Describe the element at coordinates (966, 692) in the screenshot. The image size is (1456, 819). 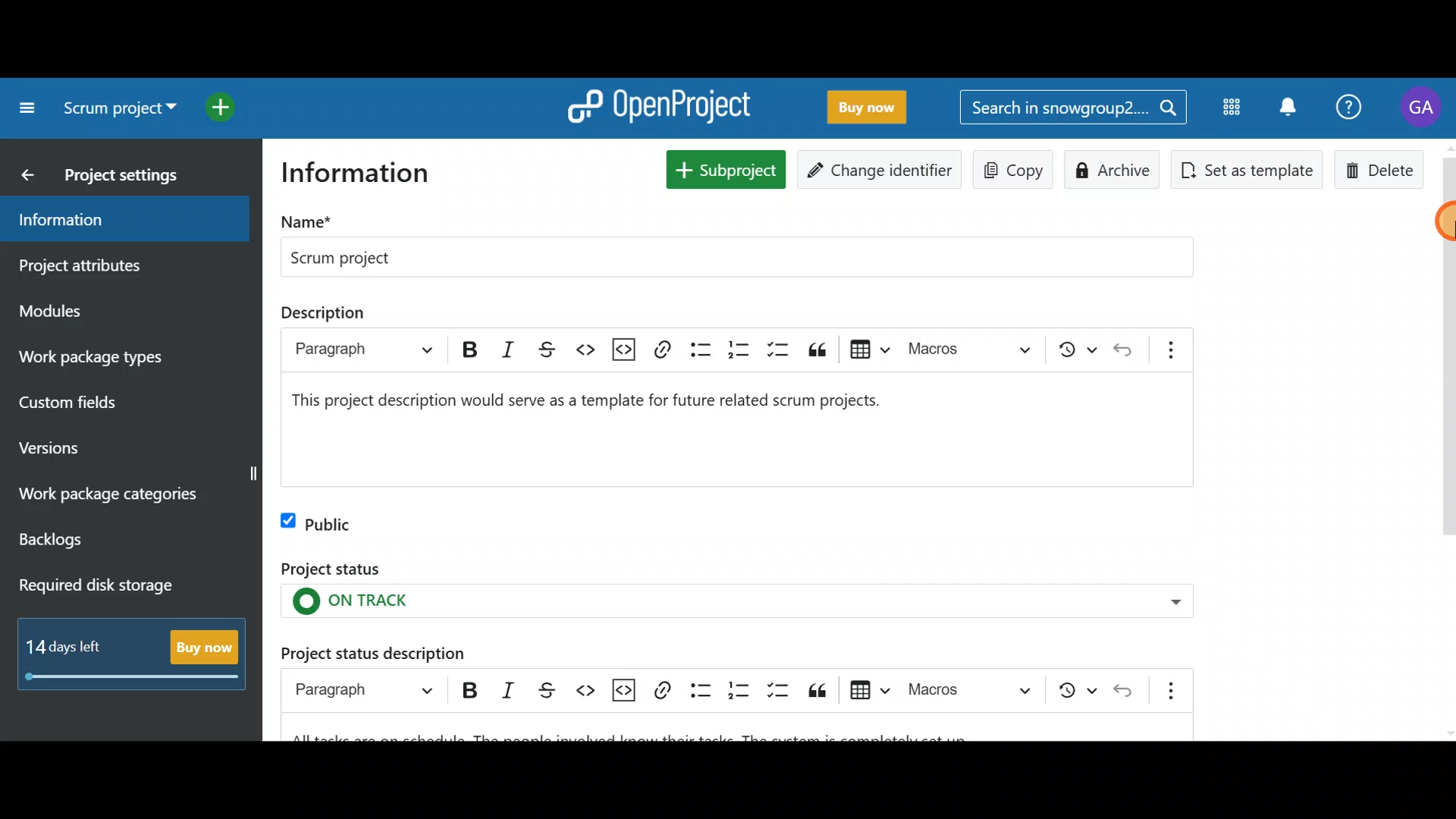
I see `Choose macro` at that location.